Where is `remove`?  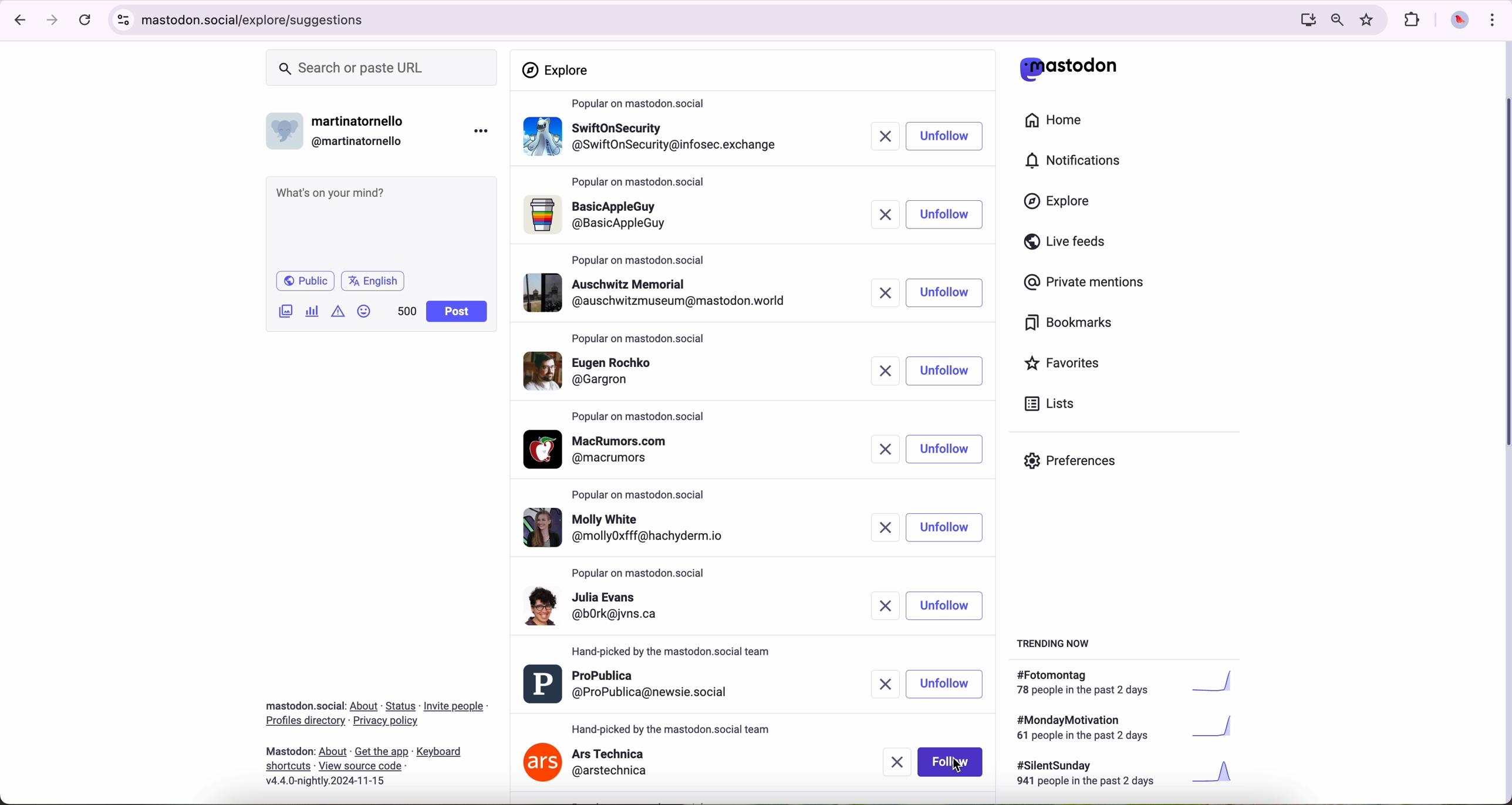
remove is located at coordinates (895, 763).